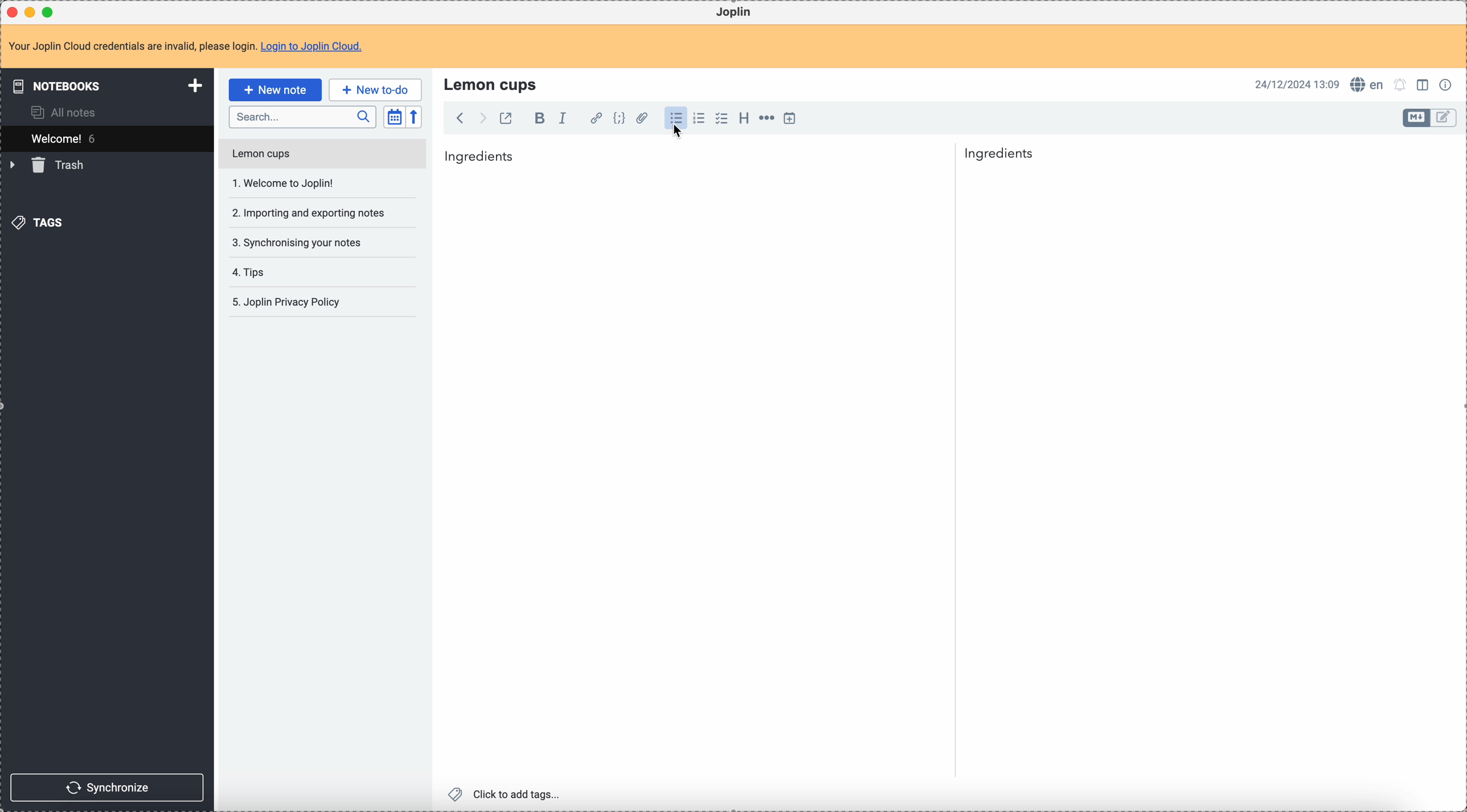  What do you see at coordinates (106, 138) in the screenshot?
I see `welcome` at bounding box center [106, 138].